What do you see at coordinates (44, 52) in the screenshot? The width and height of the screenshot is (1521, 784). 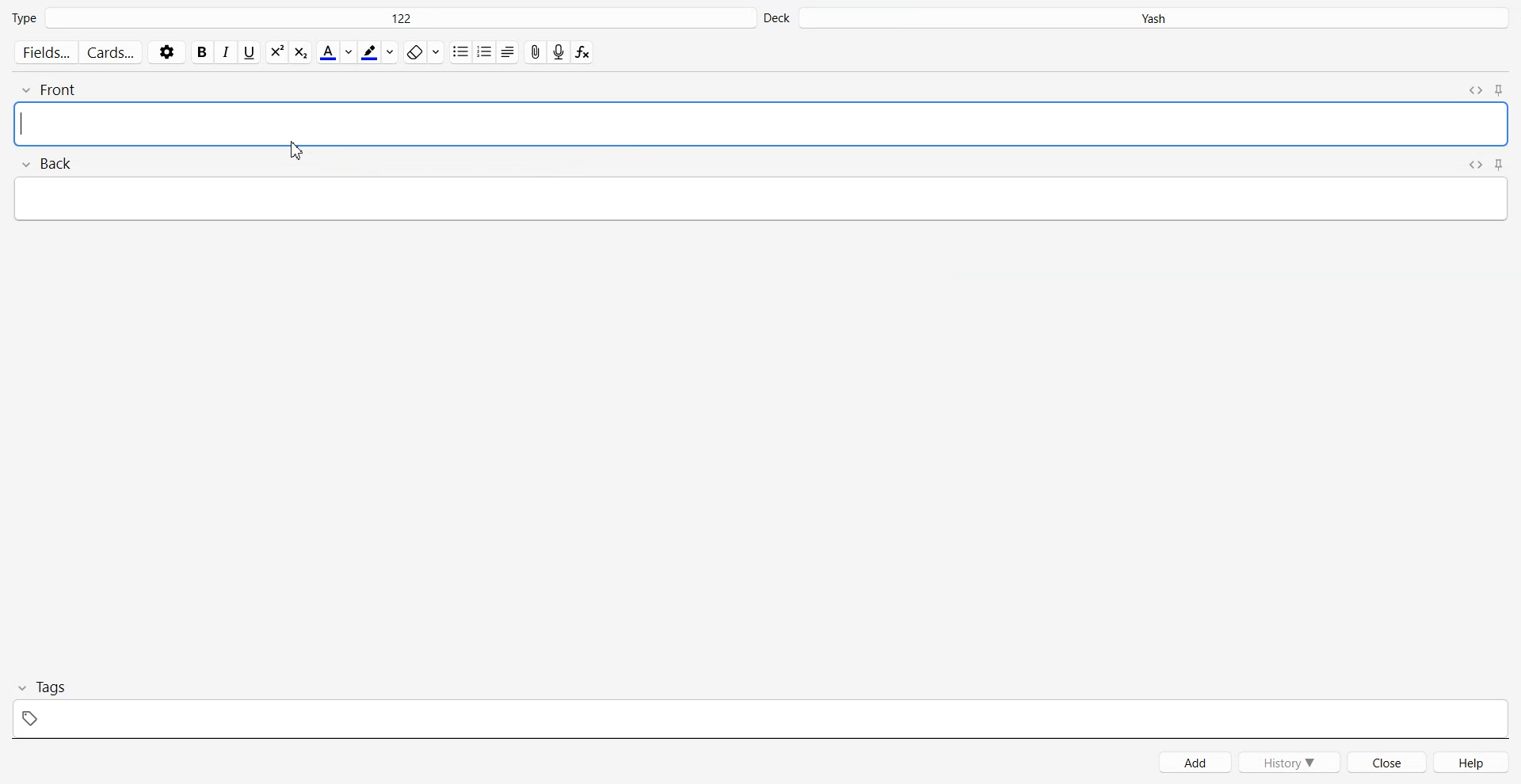 I see `Fields` at bounding box center [44, 52].